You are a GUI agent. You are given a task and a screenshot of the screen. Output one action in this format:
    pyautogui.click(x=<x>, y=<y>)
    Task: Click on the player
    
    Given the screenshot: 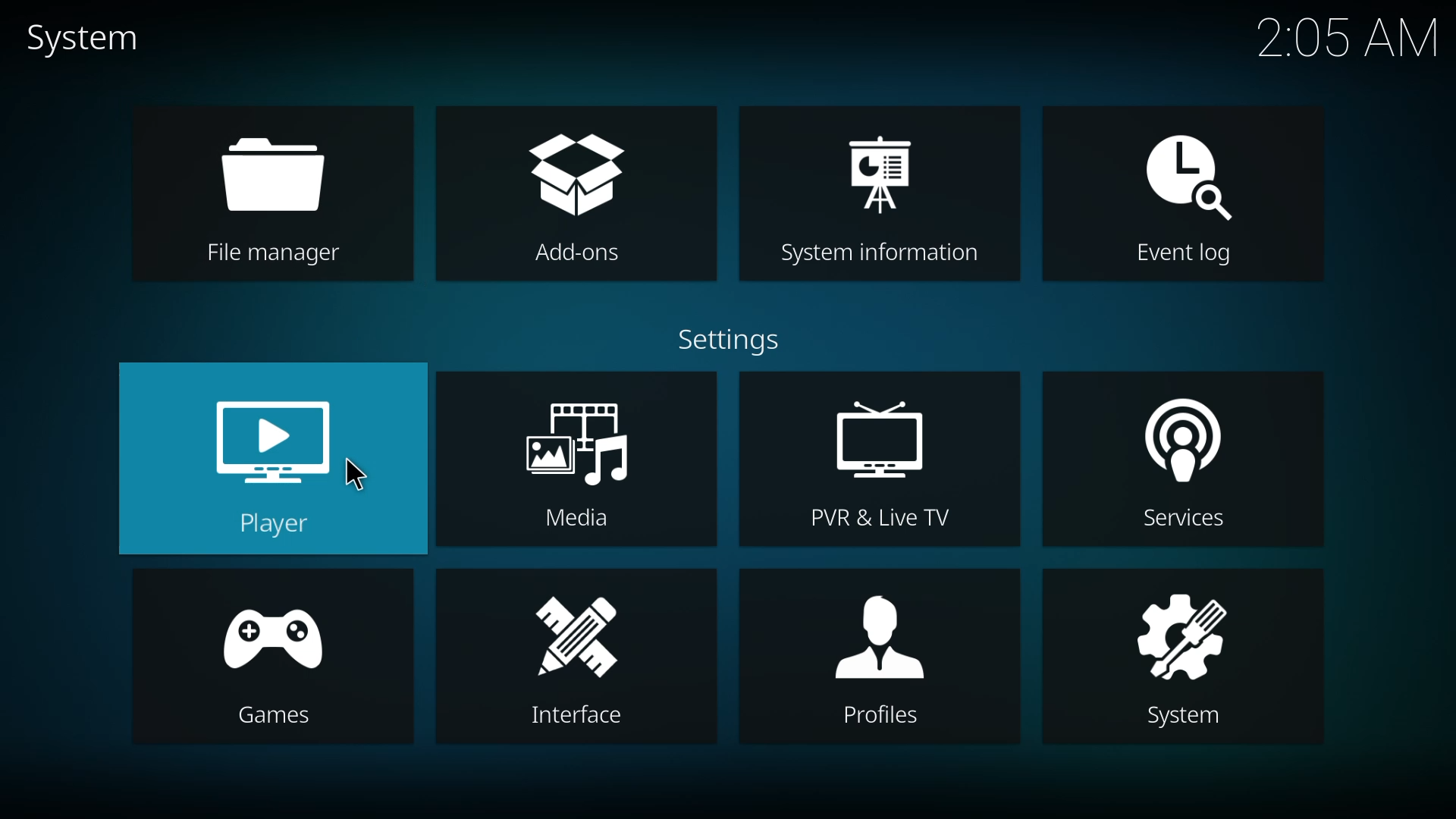 What is the action you would take?
    pyautogui.click(x=275, y=460)
    